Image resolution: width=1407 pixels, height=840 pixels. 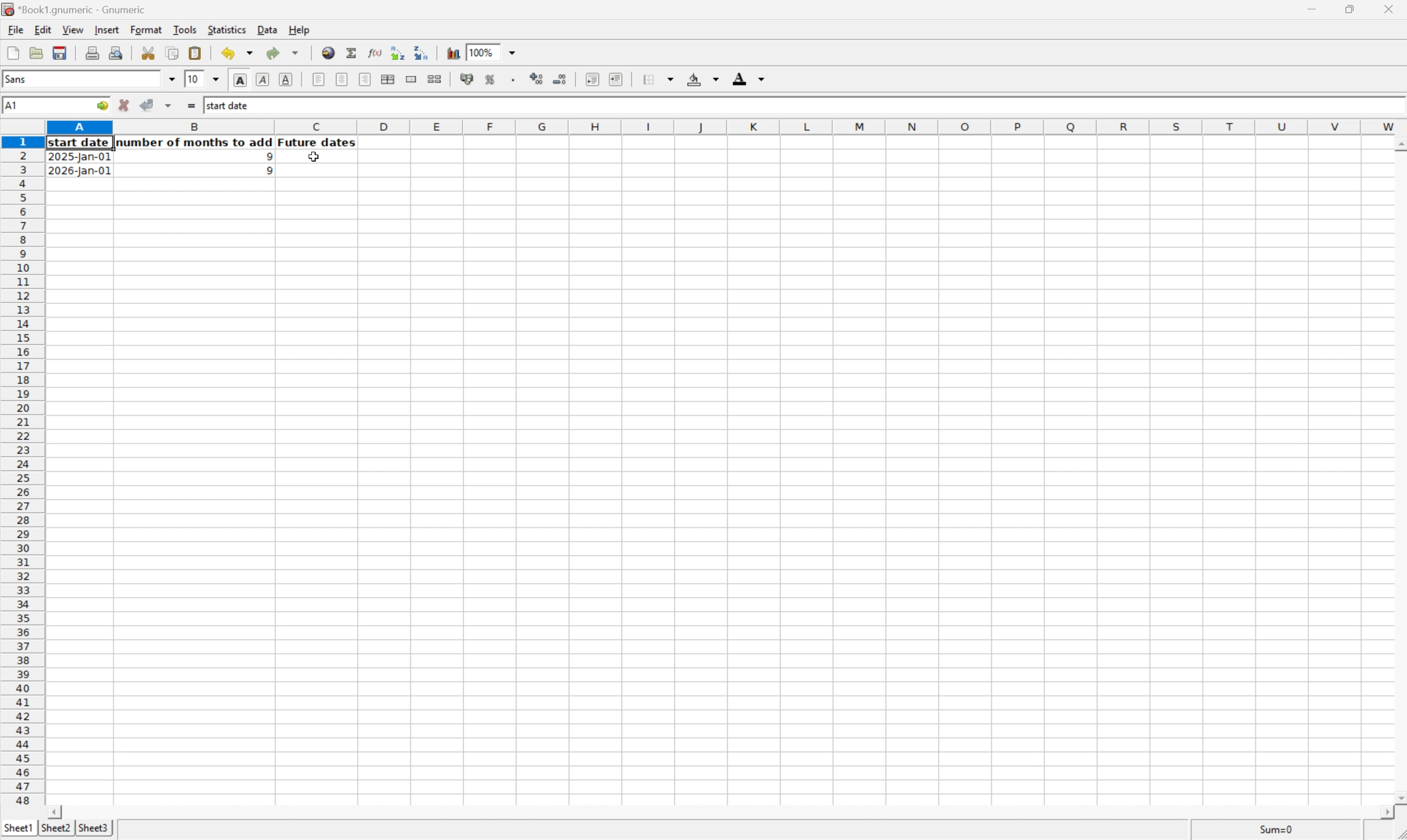 I want to click on Tools, so click(x=186, y=29).